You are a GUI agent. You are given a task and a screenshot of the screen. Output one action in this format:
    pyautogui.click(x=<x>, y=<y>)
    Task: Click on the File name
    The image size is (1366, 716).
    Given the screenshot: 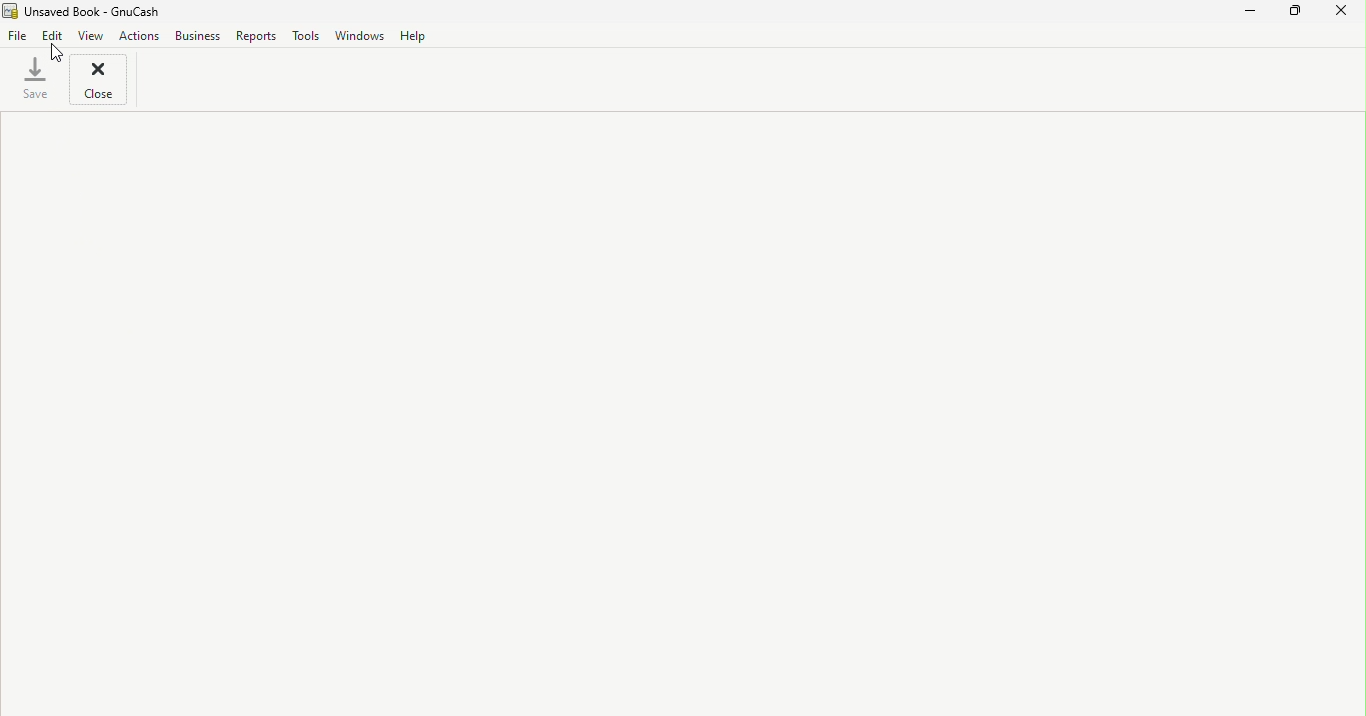 What is the action you would take?
    pyautogui.click(x=93, y=10)
    